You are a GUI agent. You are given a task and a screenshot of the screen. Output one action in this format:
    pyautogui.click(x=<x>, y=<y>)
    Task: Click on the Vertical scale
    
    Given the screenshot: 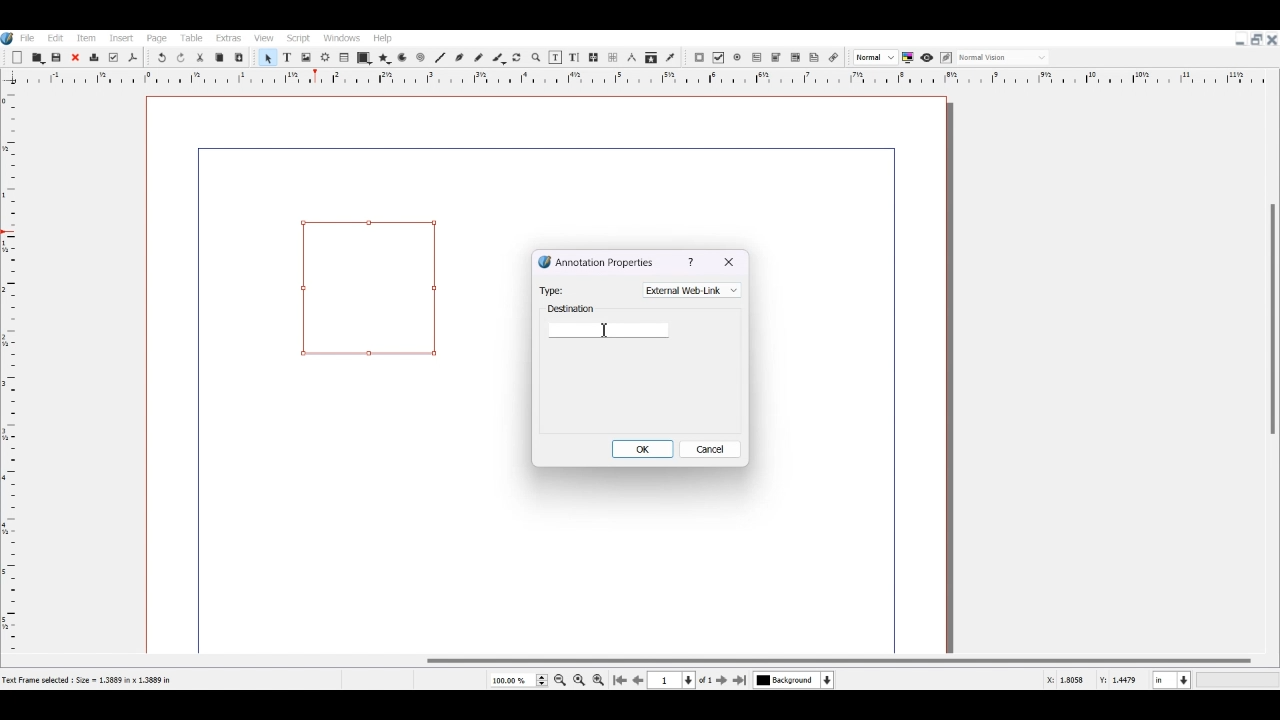 What is the action you would take?
    pyautogui.click(x=628, y=79)
    